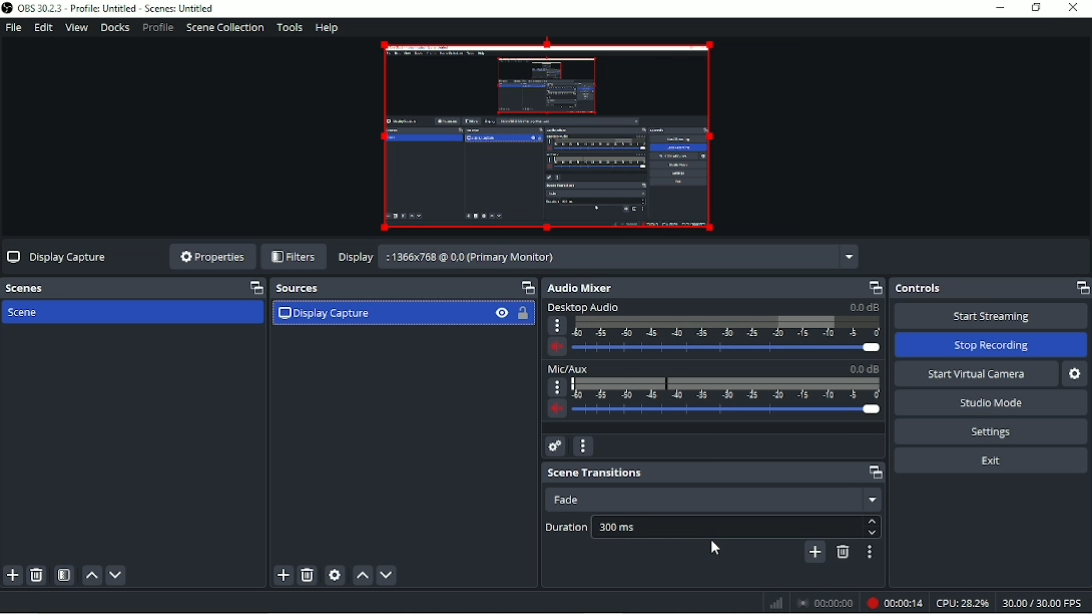 Image resolution: width=1092 pixels, height=614 pixels. I want to click on CPU, so click(962, 603).